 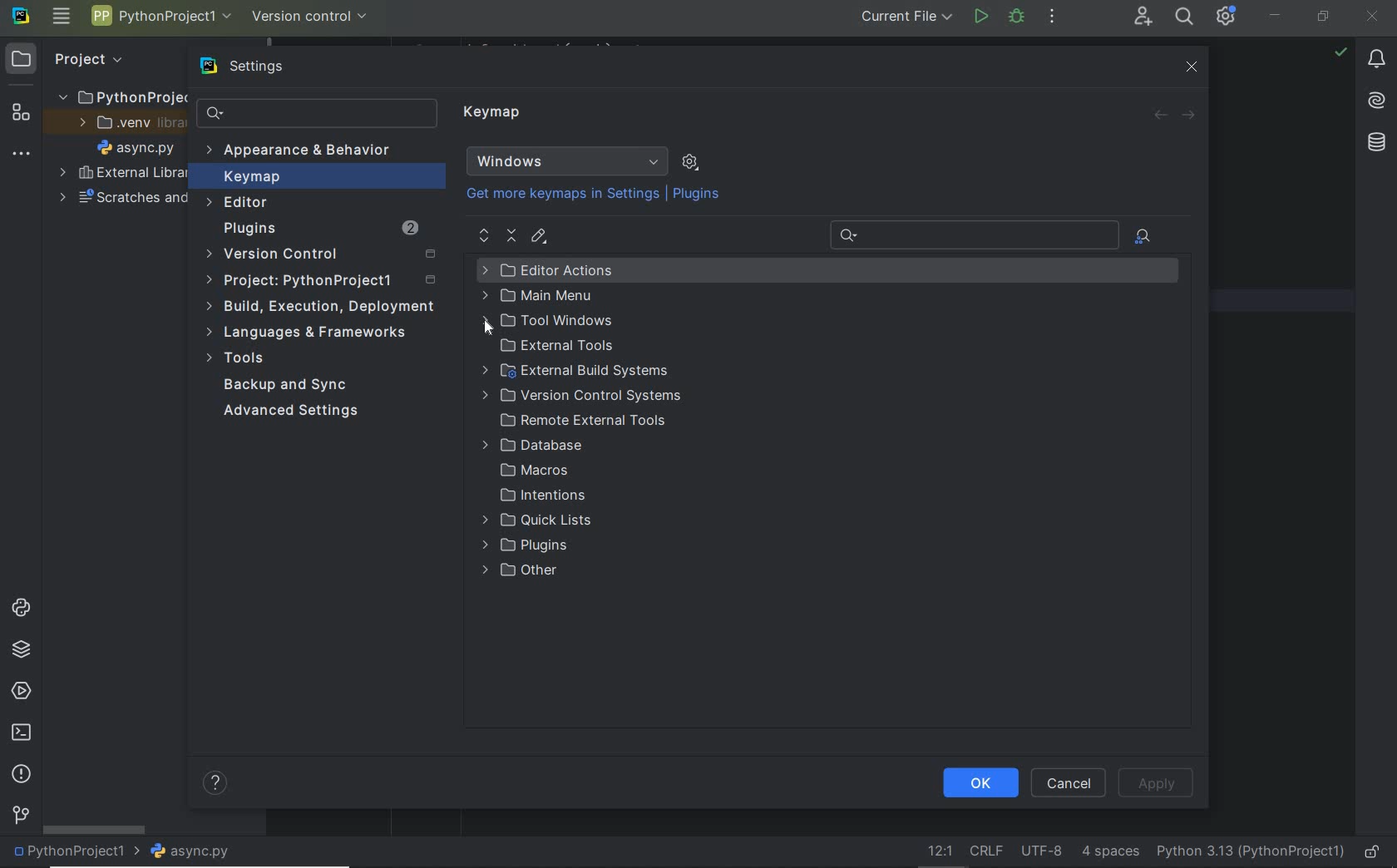 What do you see at coordinates (92, 829) in the screenshot?
I see `scrollbar` at bounding box center [92, 829].